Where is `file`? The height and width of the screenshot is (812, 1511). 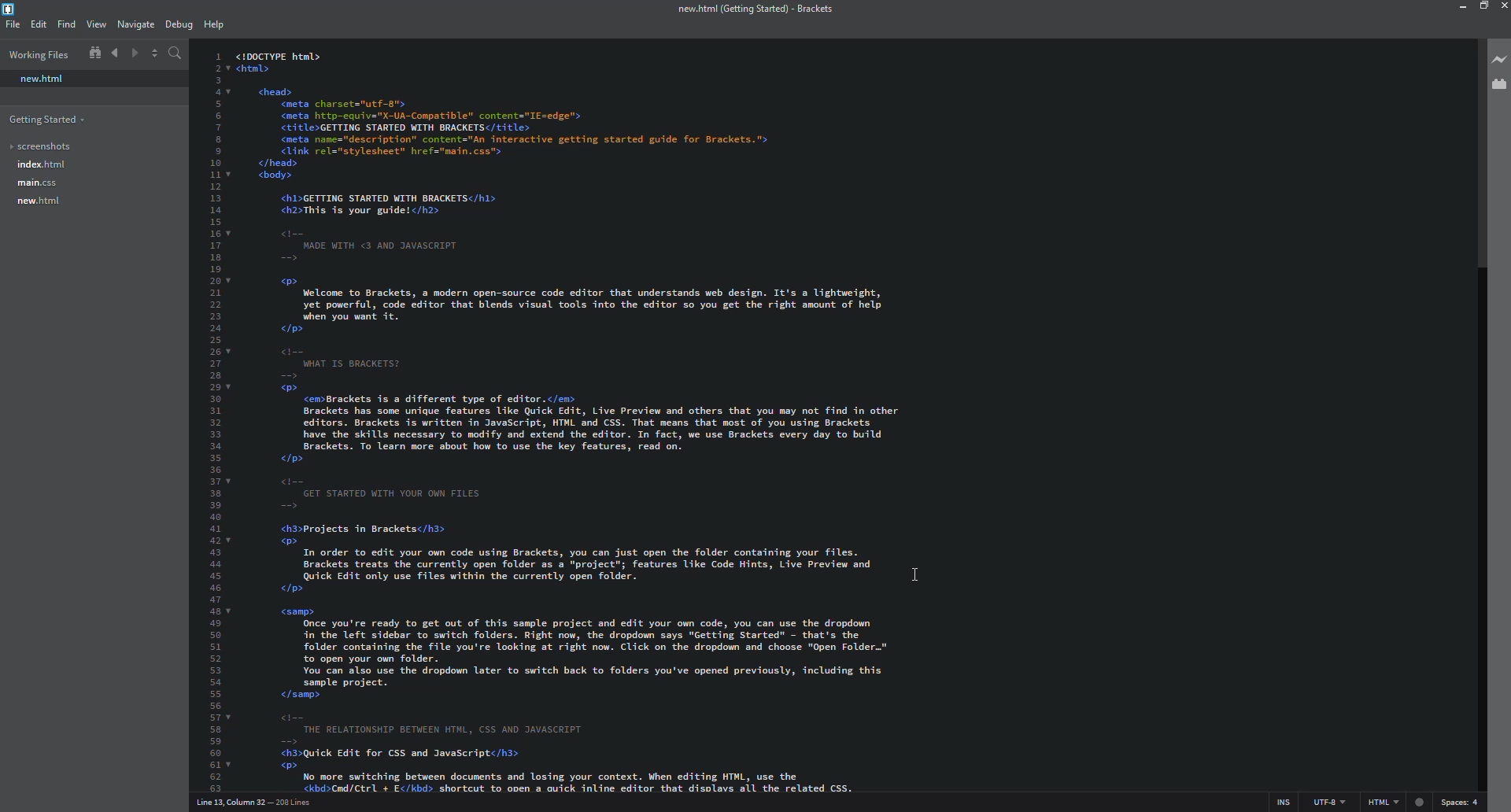 file is located at coordinates (12, 24).